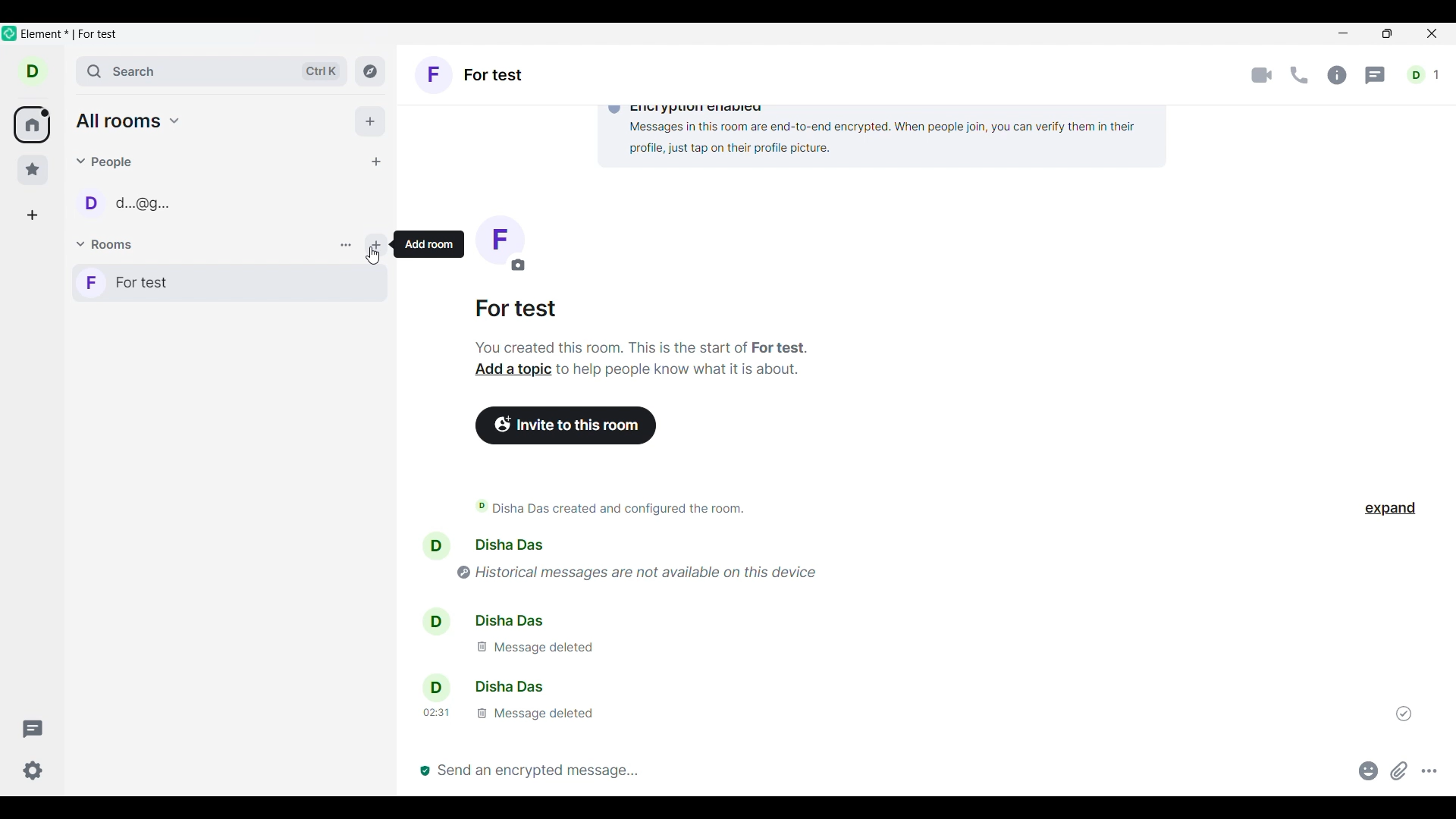  I want to click on number of people in the room, so click(1423, 74).